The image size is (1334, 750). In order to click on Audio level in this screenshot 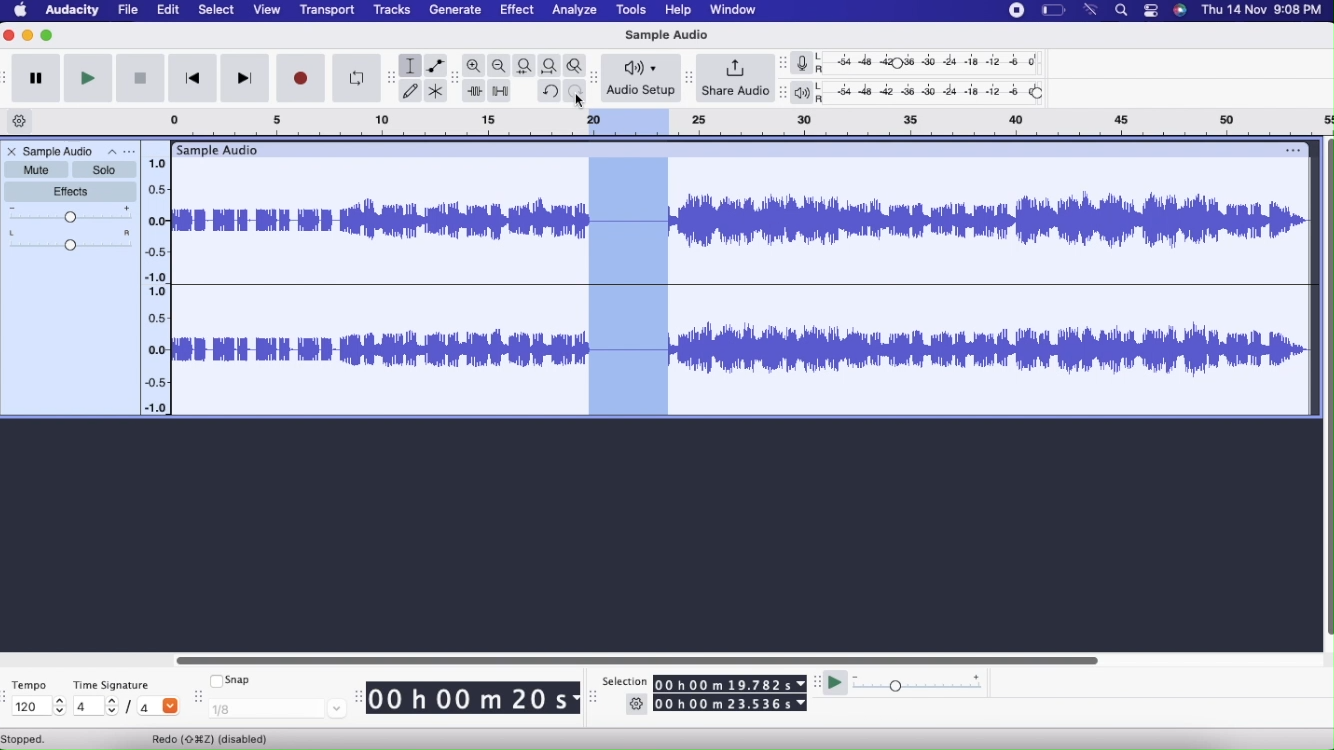, I will do `click(156, 350)`.